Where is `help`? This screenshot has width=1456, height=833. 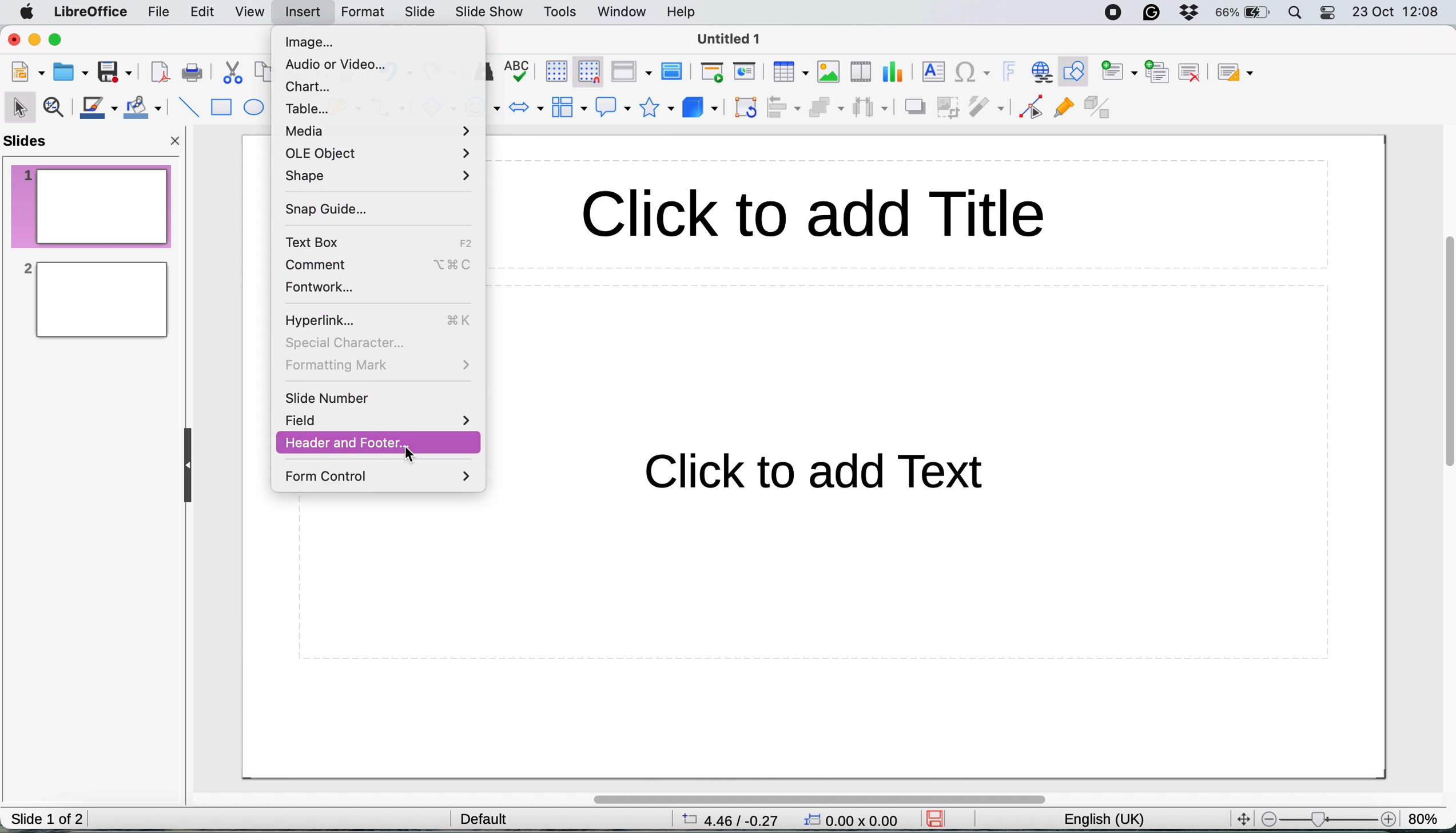 help is located at coordinates (684, 11).